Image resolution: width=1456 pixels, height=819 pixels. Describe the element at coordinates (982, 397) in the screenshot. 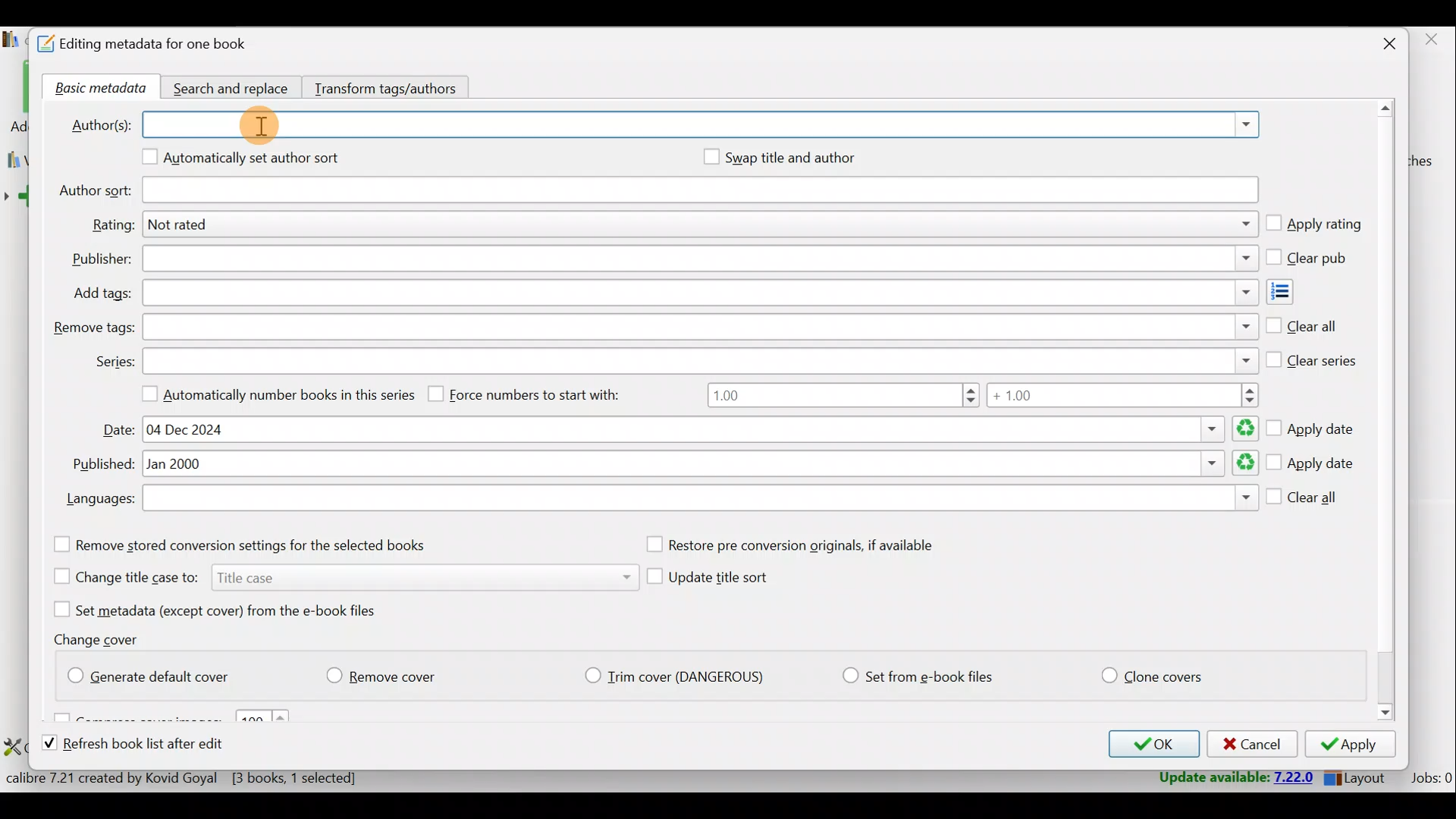

I see `Number range` at that location.